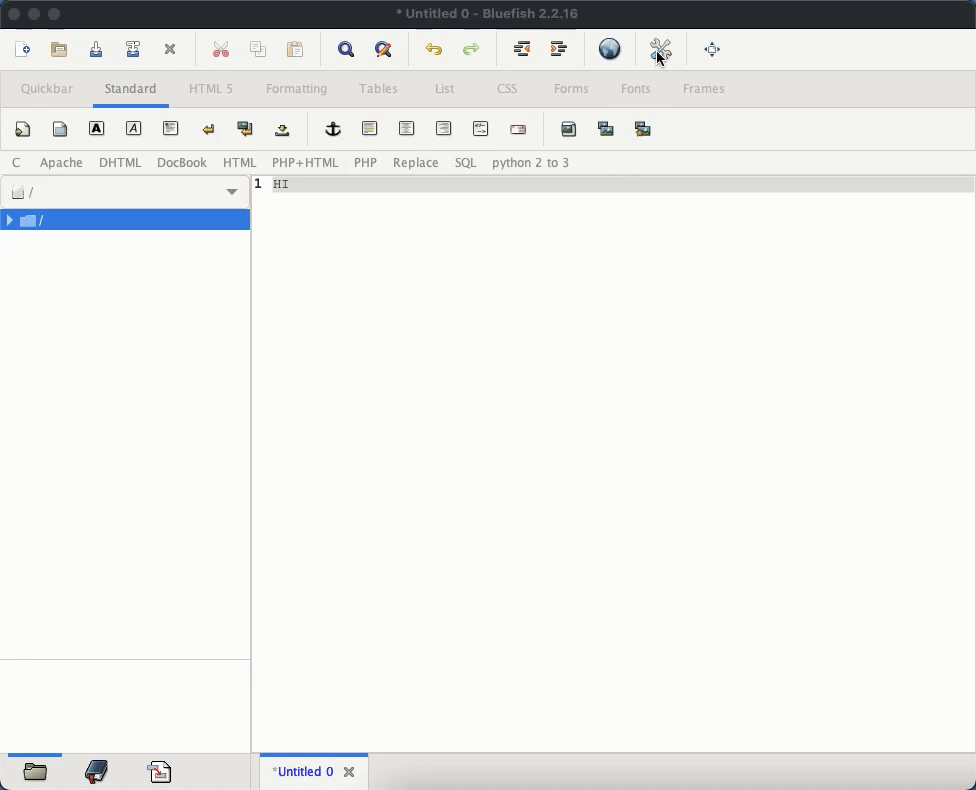 This screenshot has width=976, height=790. What do you see at coordinates (282, 130) in the screenshot?
I see `non-breaking space` at bounding box center [282, 130].